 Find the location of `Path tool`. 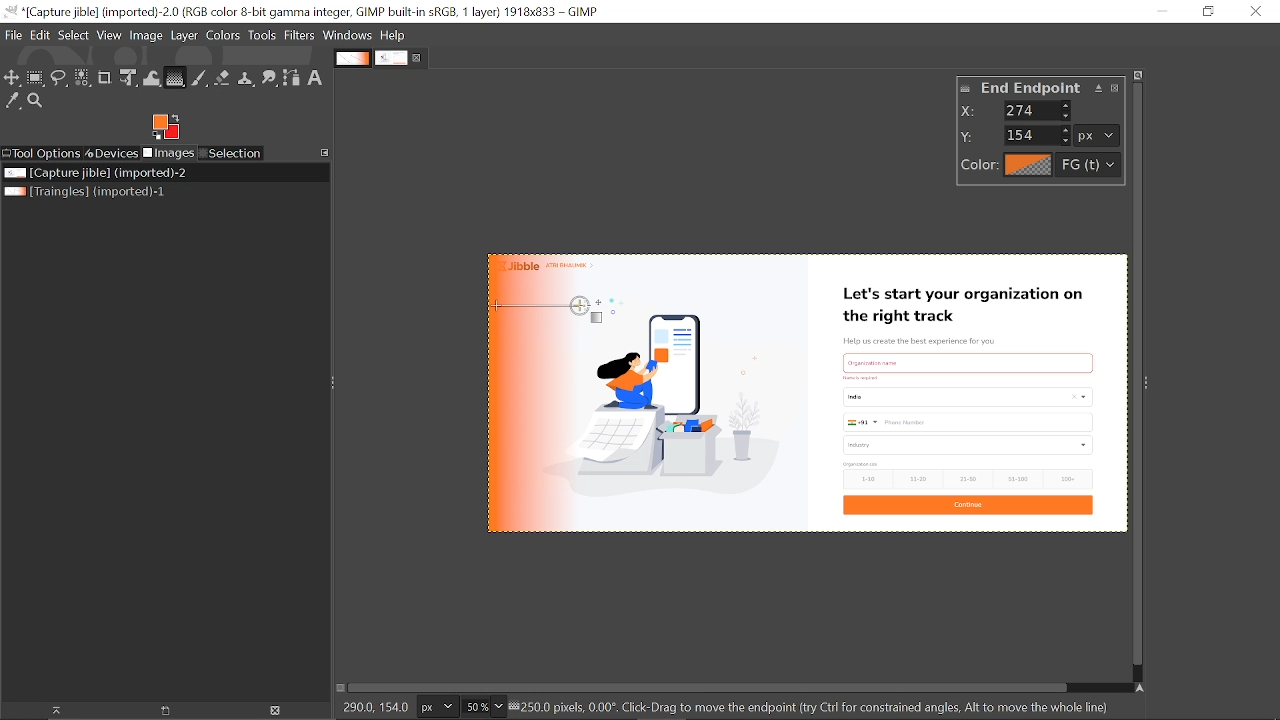

Path tool is located at coordinates (291, 78).